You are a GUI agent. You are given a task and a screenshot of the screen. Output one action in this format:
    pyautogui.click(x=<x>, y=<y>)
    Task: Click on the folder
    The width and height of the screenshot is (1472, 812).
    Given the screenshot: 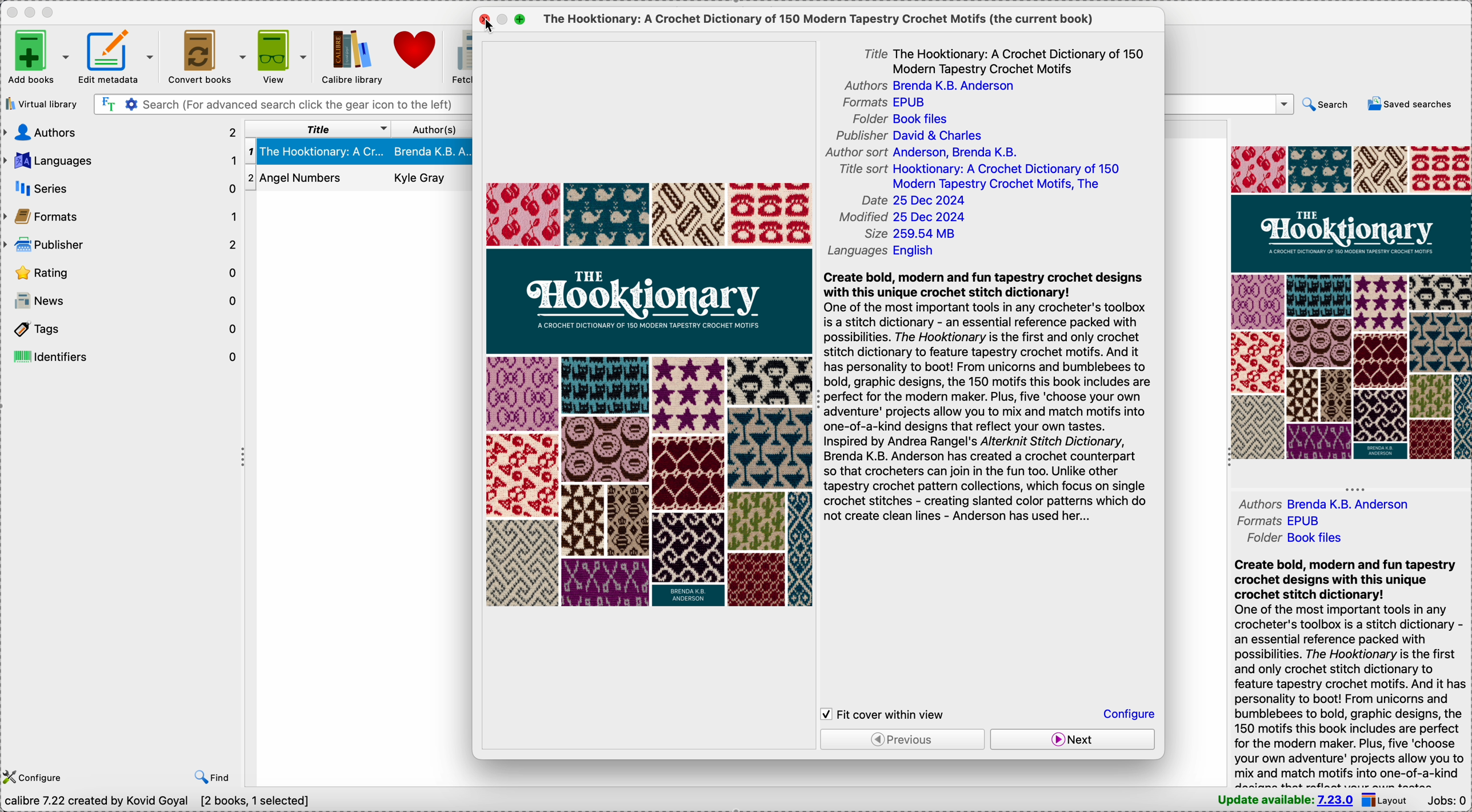 What is the action you would take?
    pyautogui.click(x=1292, y=538)
    